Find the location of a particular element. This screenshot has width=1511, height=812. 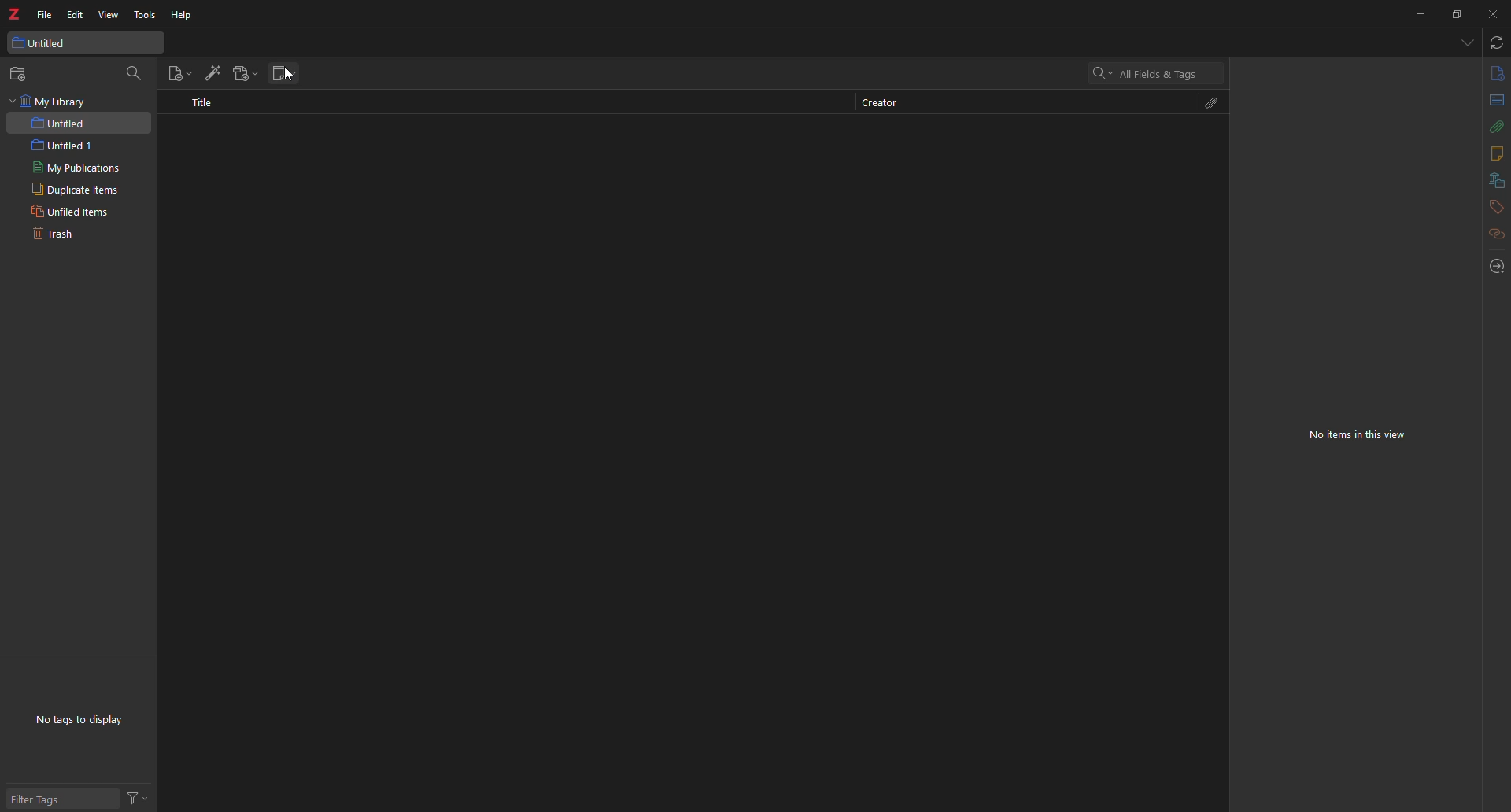

new item is located at coordinates (178, 73).